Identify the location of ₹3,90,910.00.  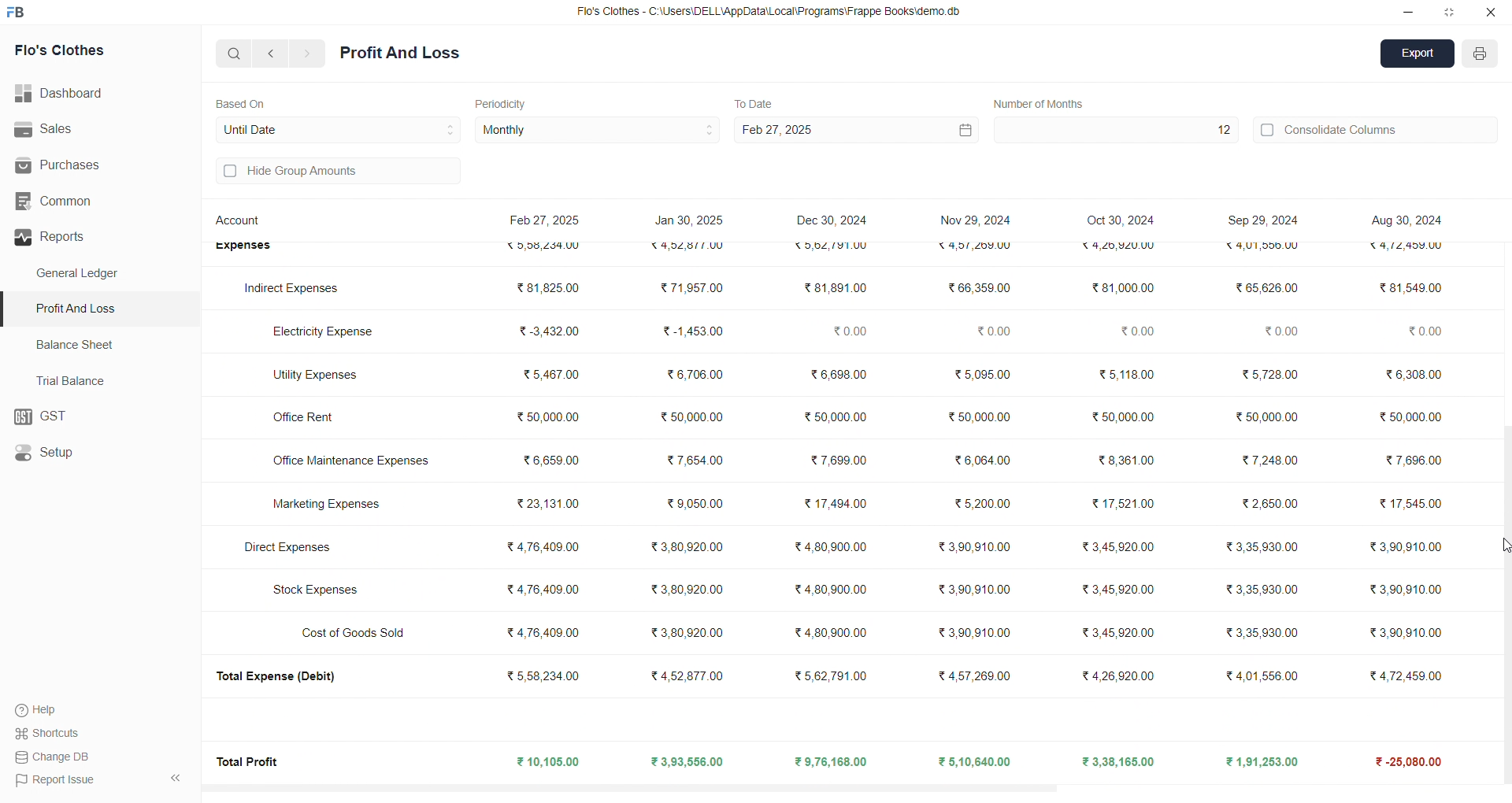
(1403, 633).